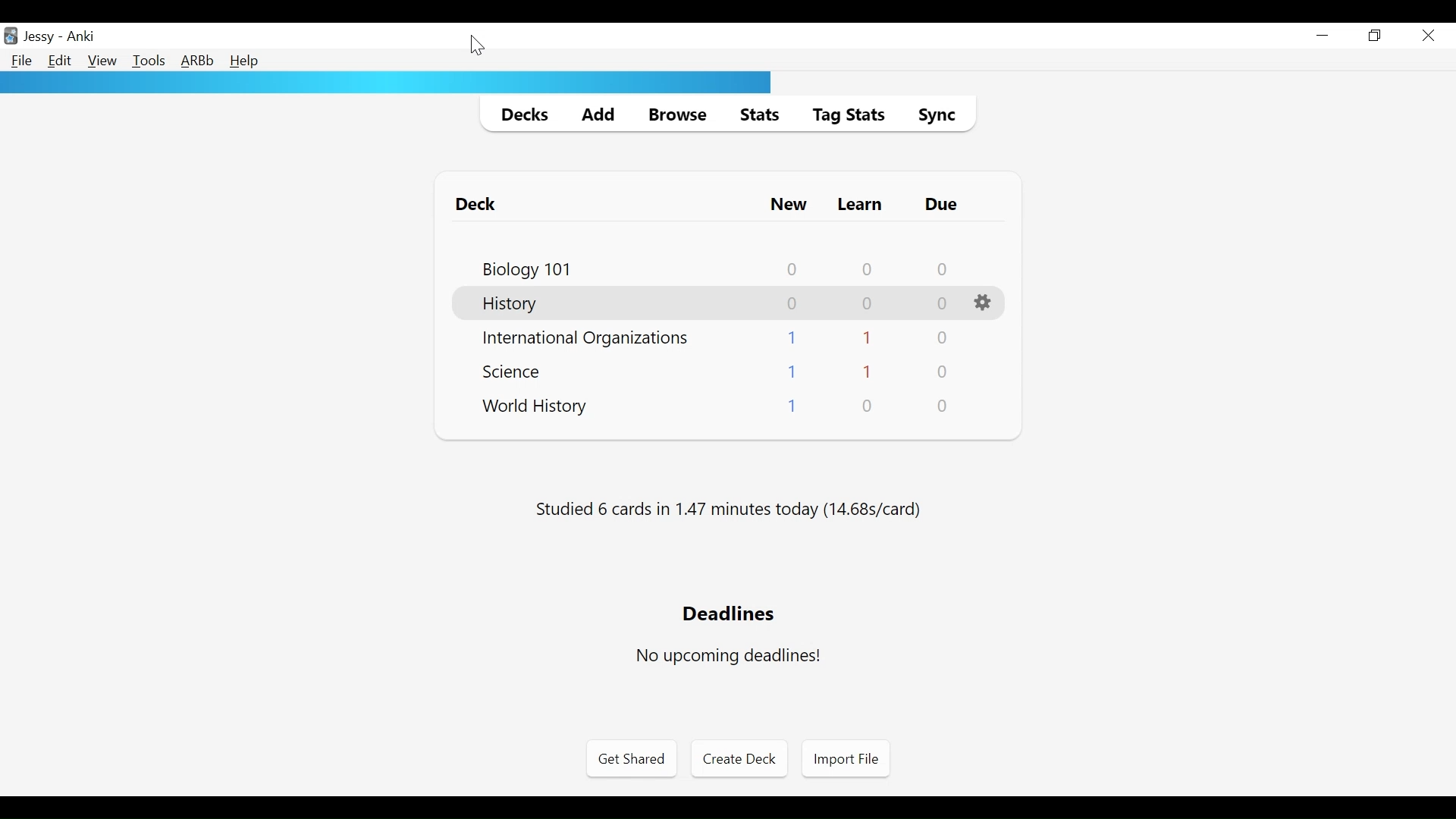  Describe the element at coordinates (520, 113) in the screenshot. I see `Decks` at that location.